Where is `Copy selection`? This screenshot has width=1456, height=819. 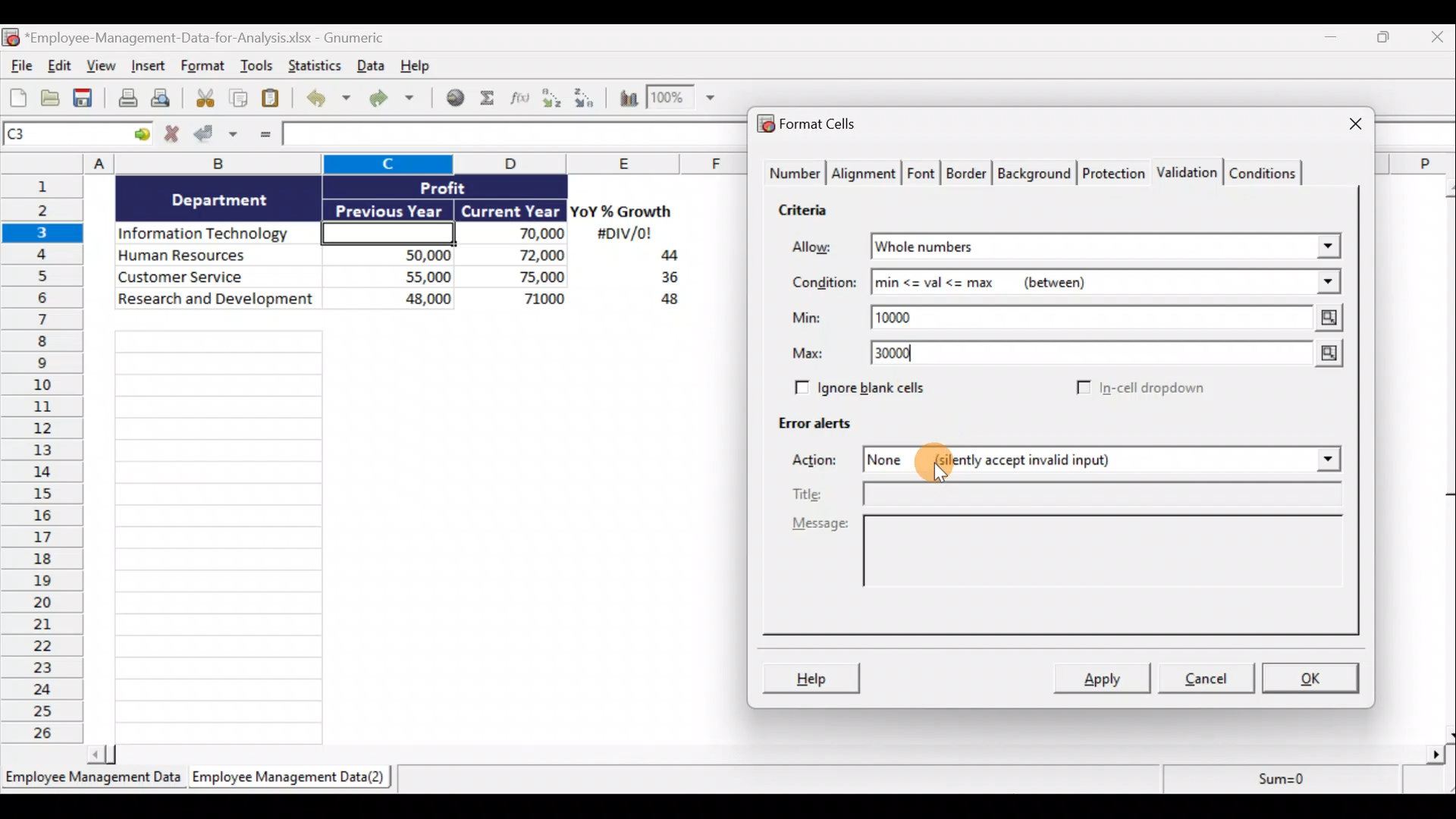 Copy selection is located at coordinates (239, 99).